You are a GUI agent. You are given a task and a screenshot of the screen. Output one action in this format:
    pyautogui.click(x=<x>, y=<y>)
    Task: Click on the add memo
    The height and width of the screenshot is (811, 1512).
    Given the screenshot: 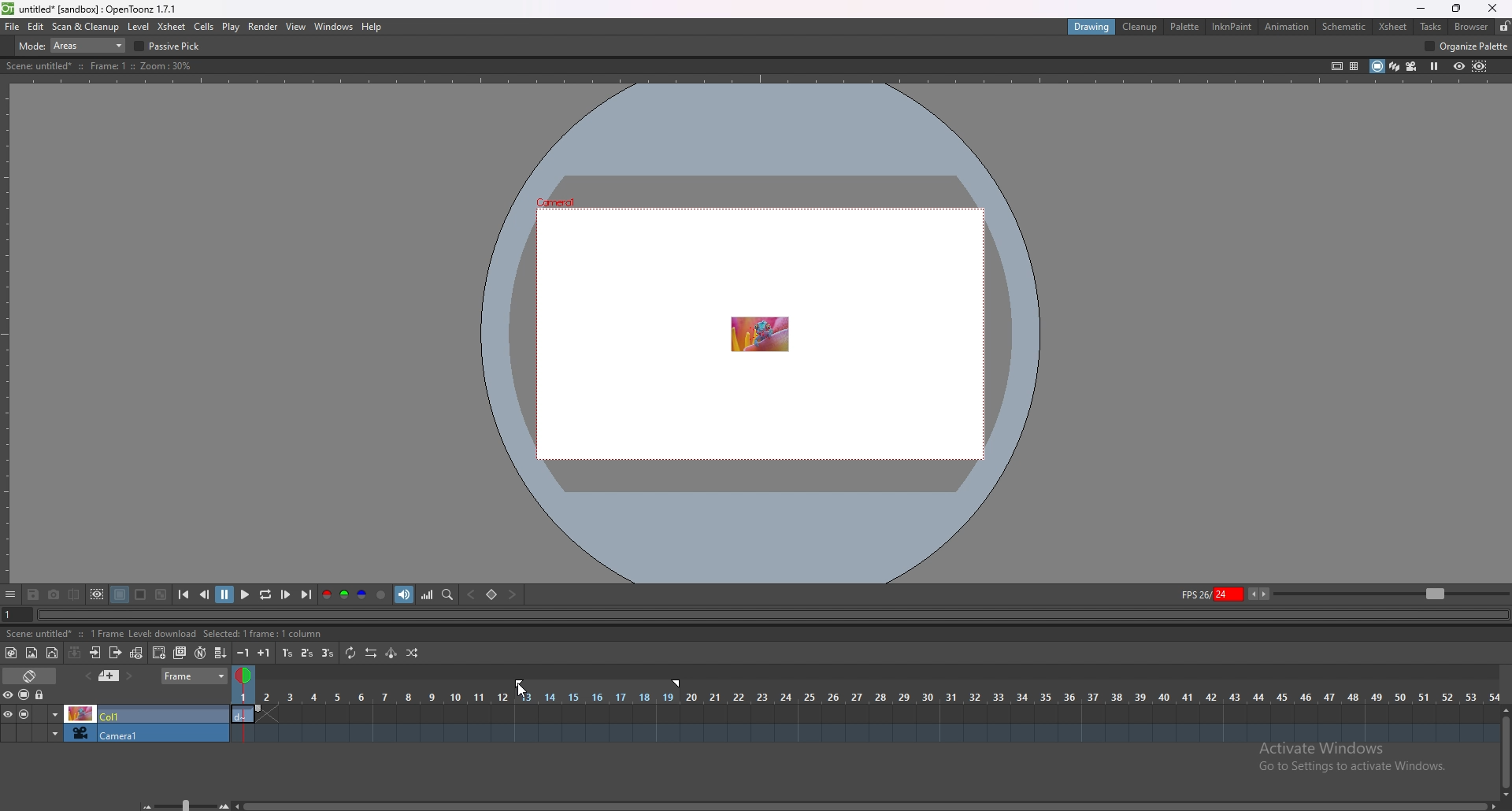 What is the action you would take?
    pyautogui.click(x=87, y=676)
    